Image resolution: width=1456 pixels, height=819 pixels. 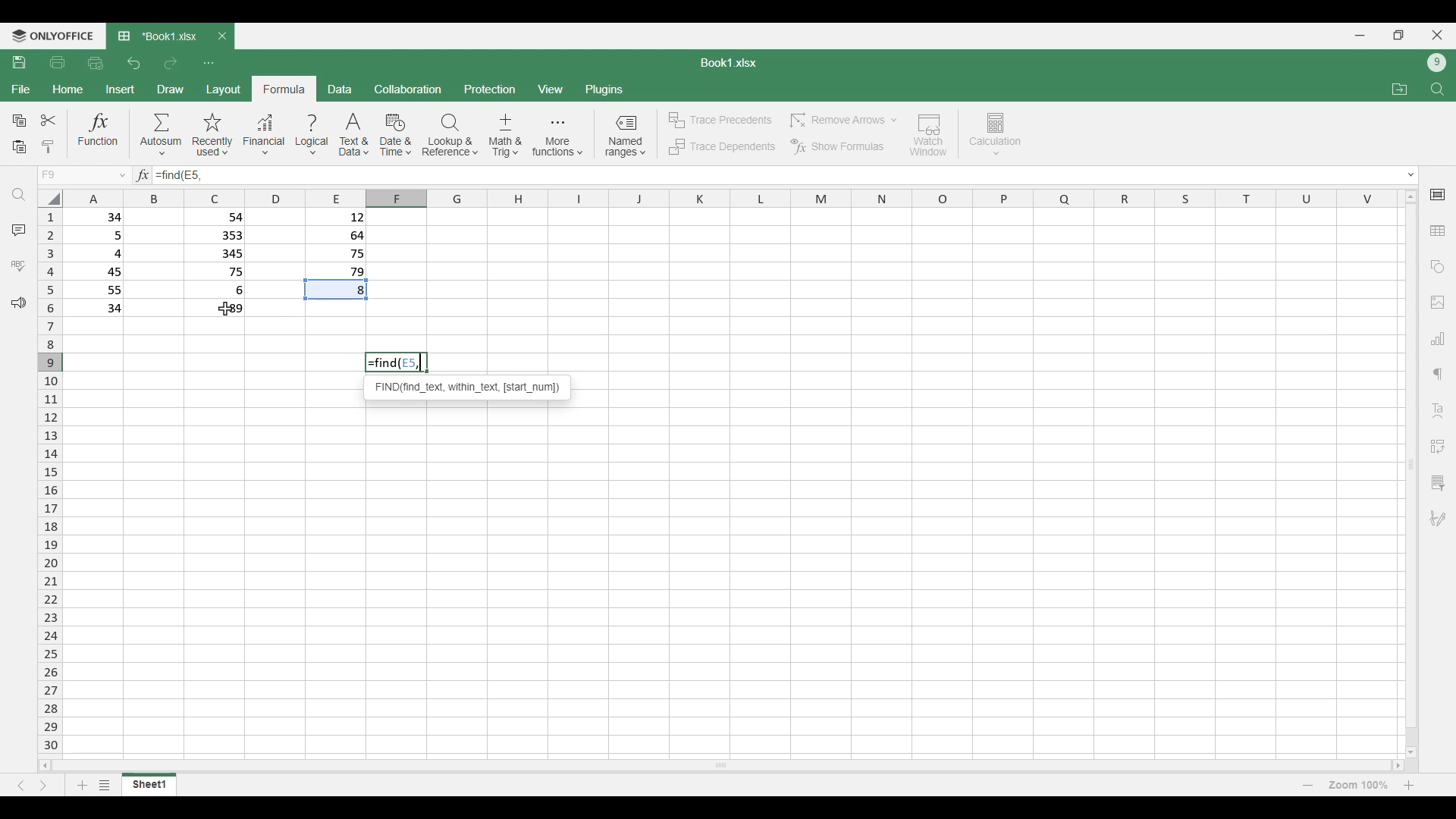 I want to click on Formula menu, current selection, so click(x=285, y=89).